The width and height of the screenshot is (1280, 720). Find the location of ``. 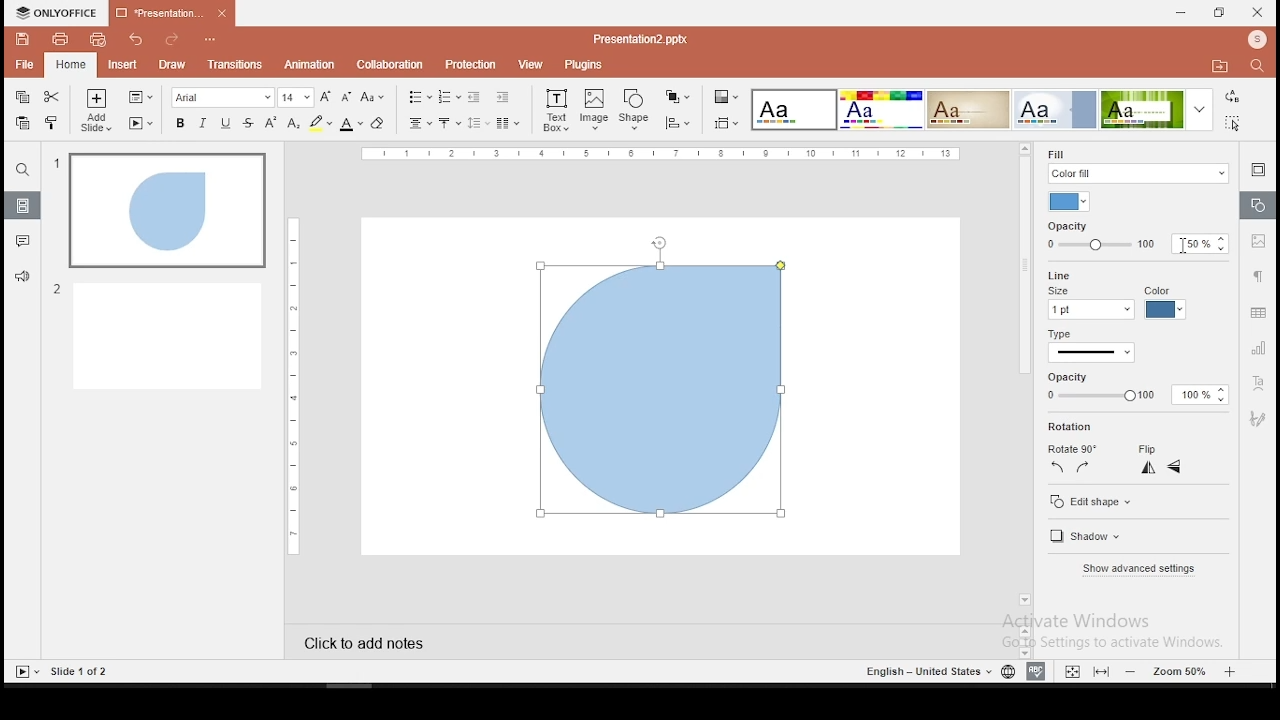

 is located at coordinates (1259, 418).